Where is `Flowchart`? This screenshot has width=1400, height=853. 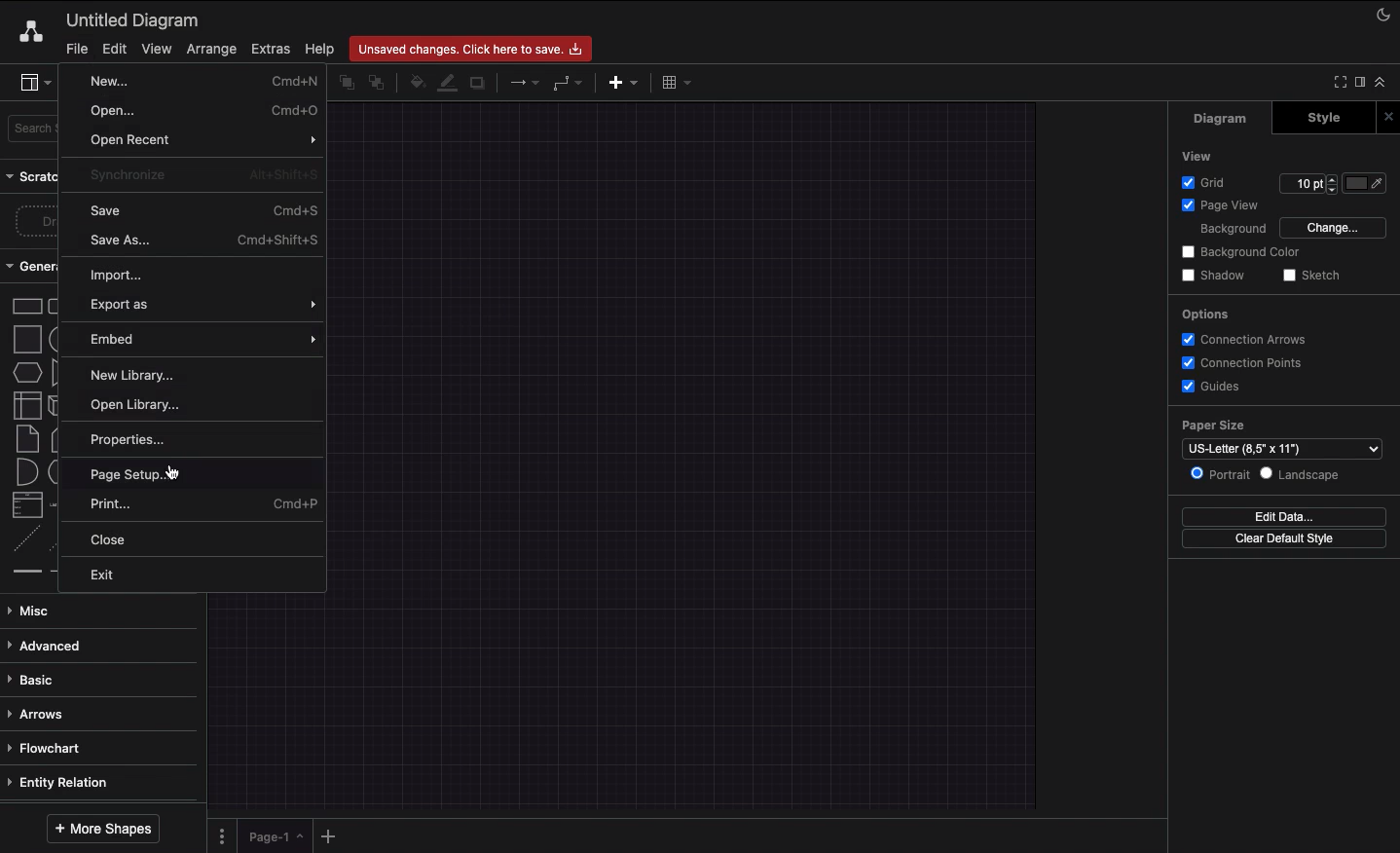
Flowchart is located at coordinates (48, 748).